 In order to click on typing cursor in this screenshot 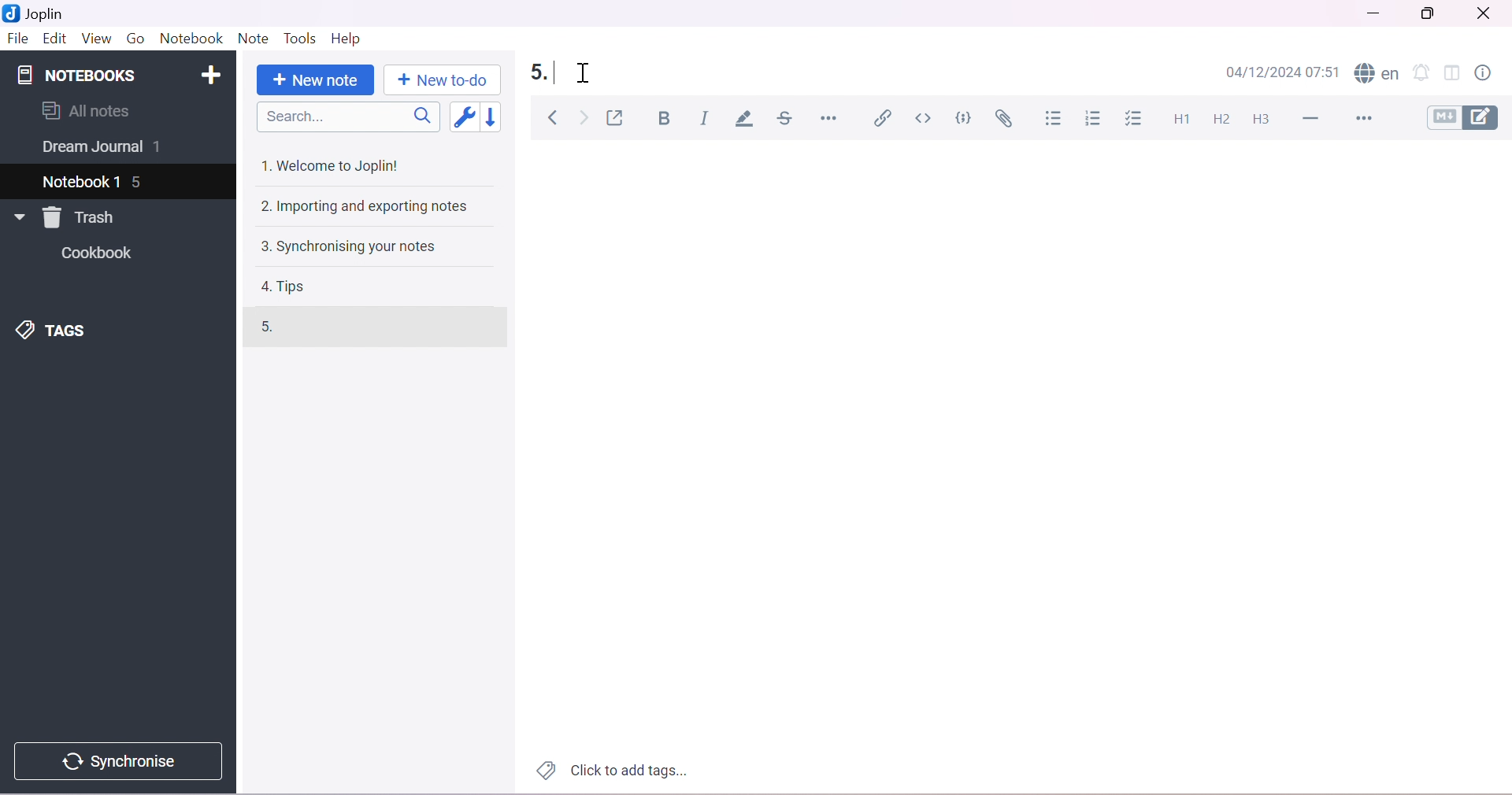, I will do `click(550, 76)`.